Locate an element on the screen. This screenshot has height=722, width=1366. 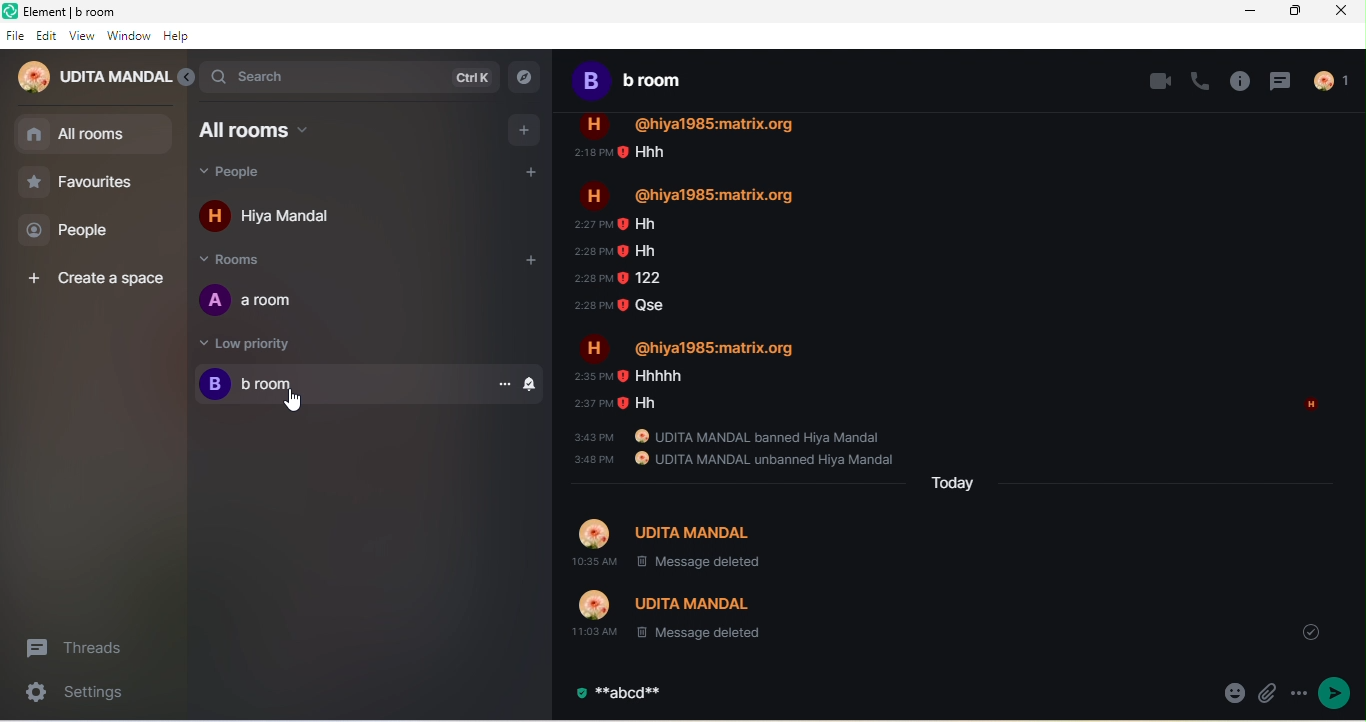
hiya mandal is located at coordinates (296, 218).